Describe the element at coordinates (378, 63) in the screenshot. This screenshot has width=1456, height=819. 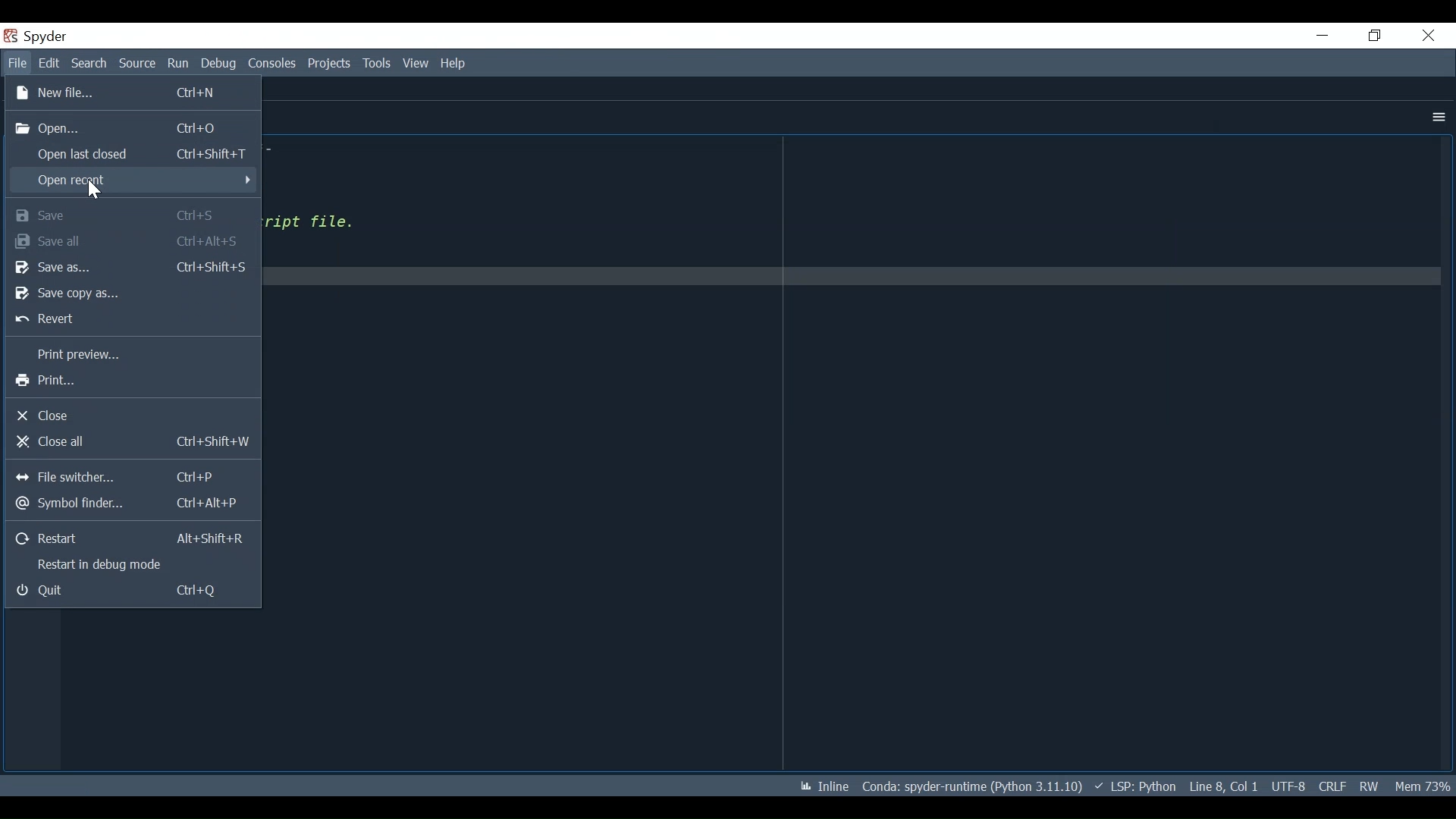
I see `Tools` at that location.